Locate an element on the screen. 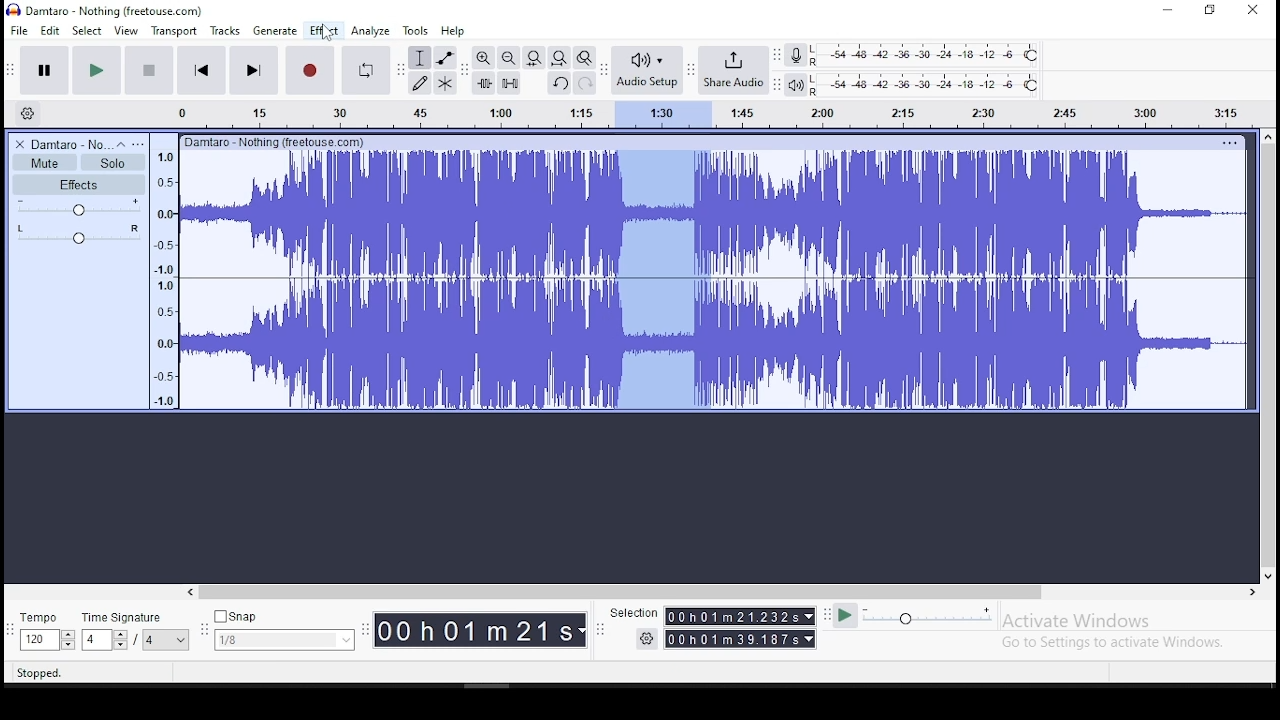 This screenshot has height=720, width=1280. vertical scroll bar is located at coordinates (1271, 353).